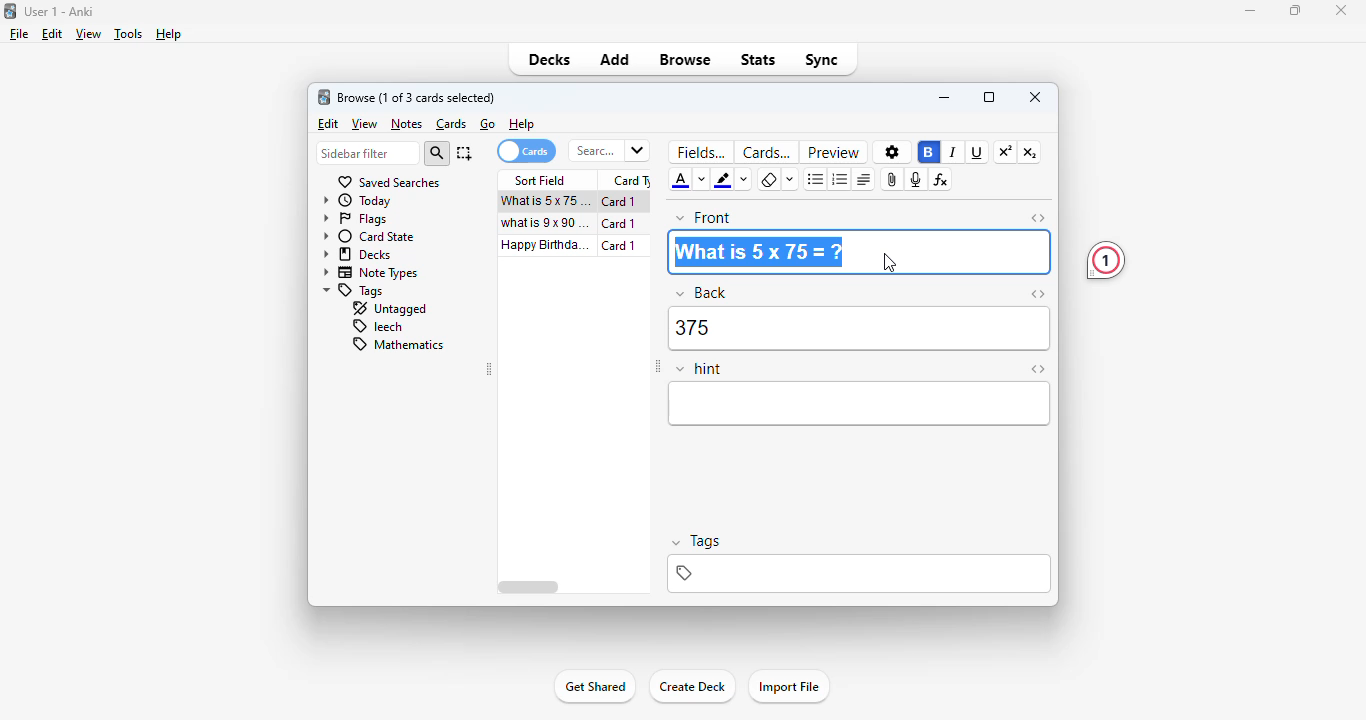  What do you see at coordinates (546, 201) in the screenshot?
I see `what is 5x75=?` at bounding box center [546, 201].